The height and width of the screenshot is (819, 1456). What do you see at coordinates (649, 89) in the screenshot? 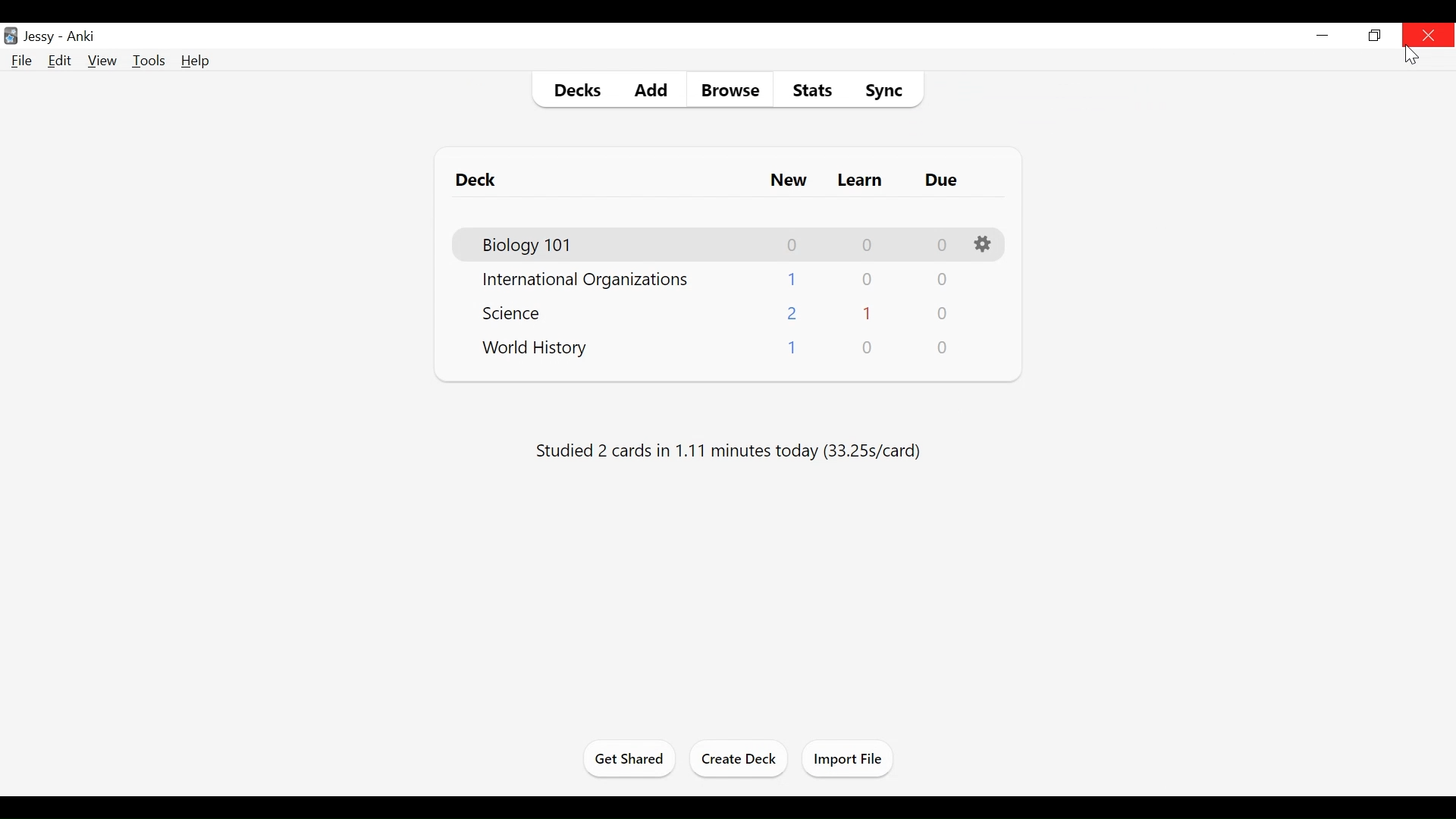
I see `Add` at bounding box center [649, 89].